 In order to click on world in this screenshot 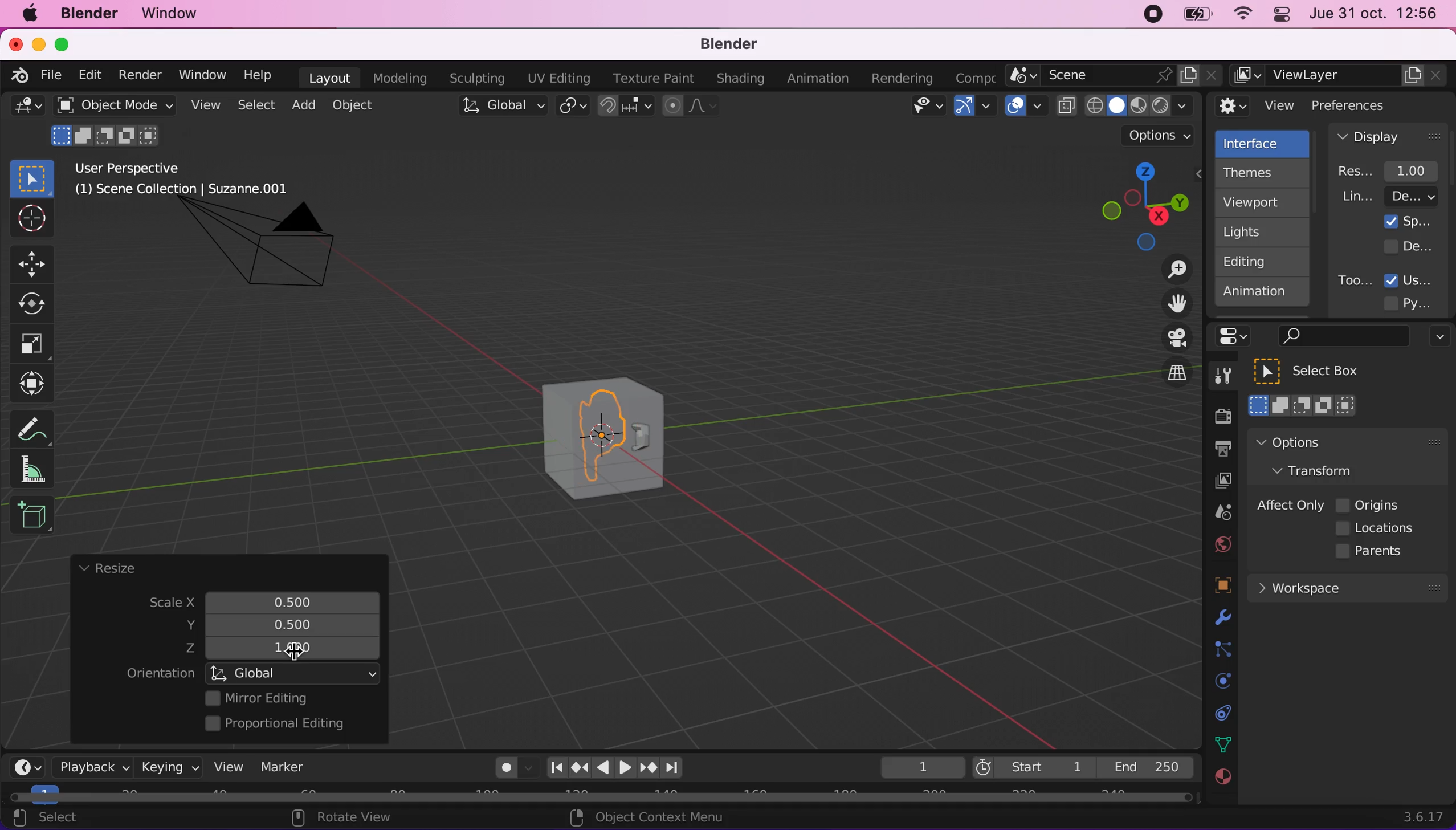, I will do `click(1220, 543)`.